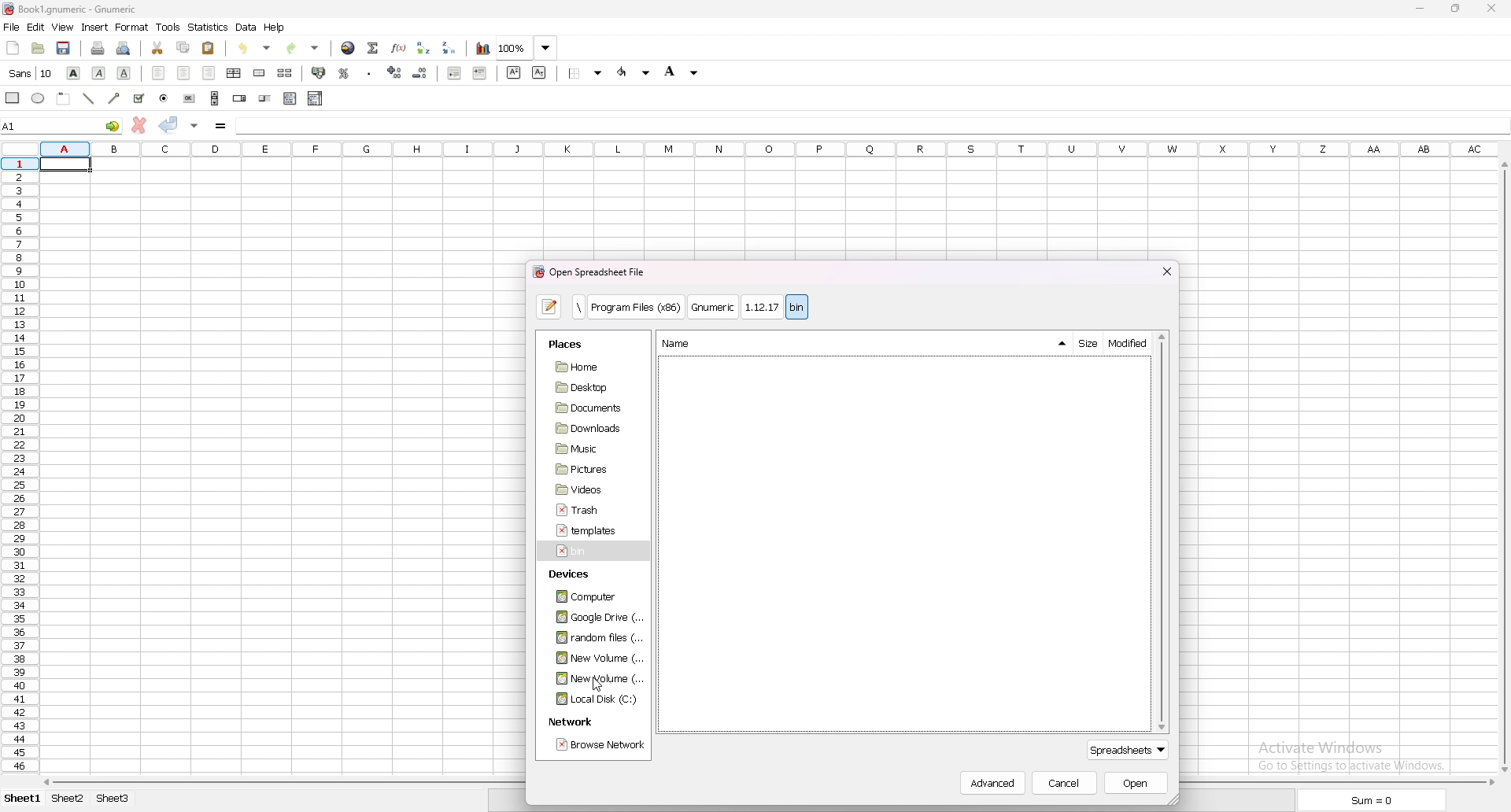 Image resolution: width=1511 pixels, height=812 pixels. Describe the element at coordinates (1129, 344) in the screenshot. I see `modified` at that location.